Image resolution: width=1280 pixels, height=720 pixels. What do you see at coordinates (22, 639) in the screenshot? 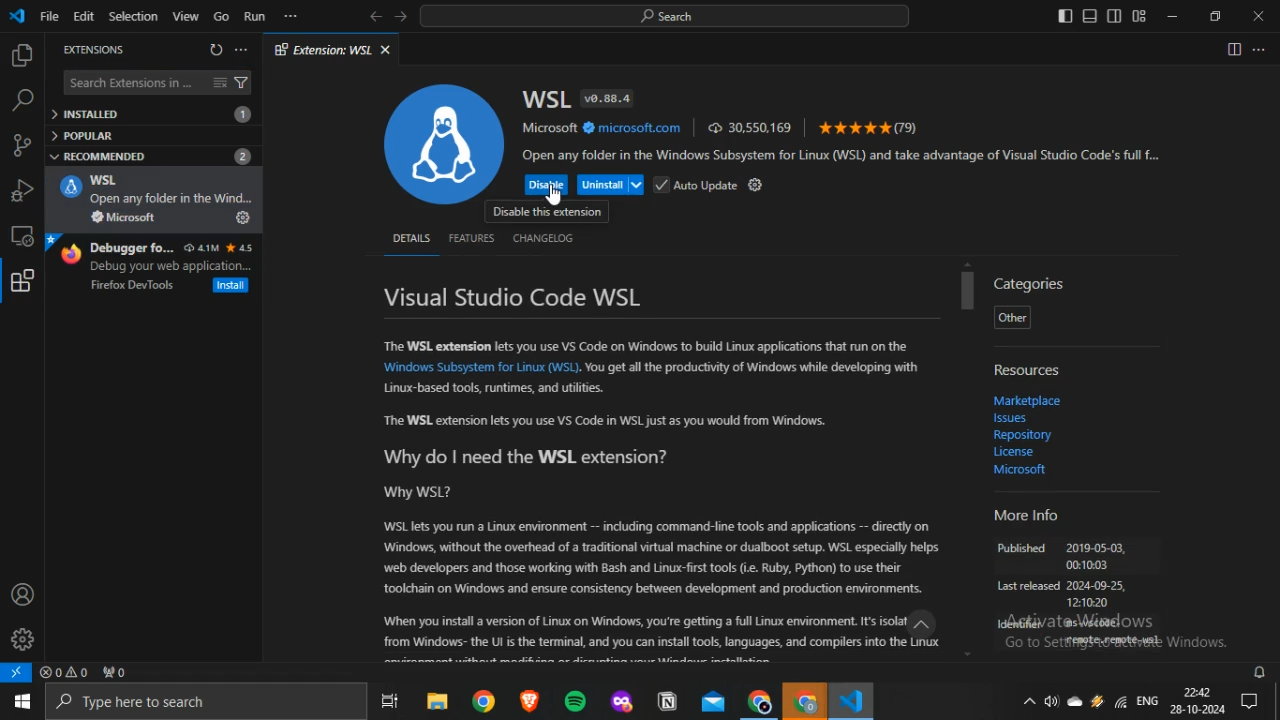
I see `manage` at bounding box center [22, 639].